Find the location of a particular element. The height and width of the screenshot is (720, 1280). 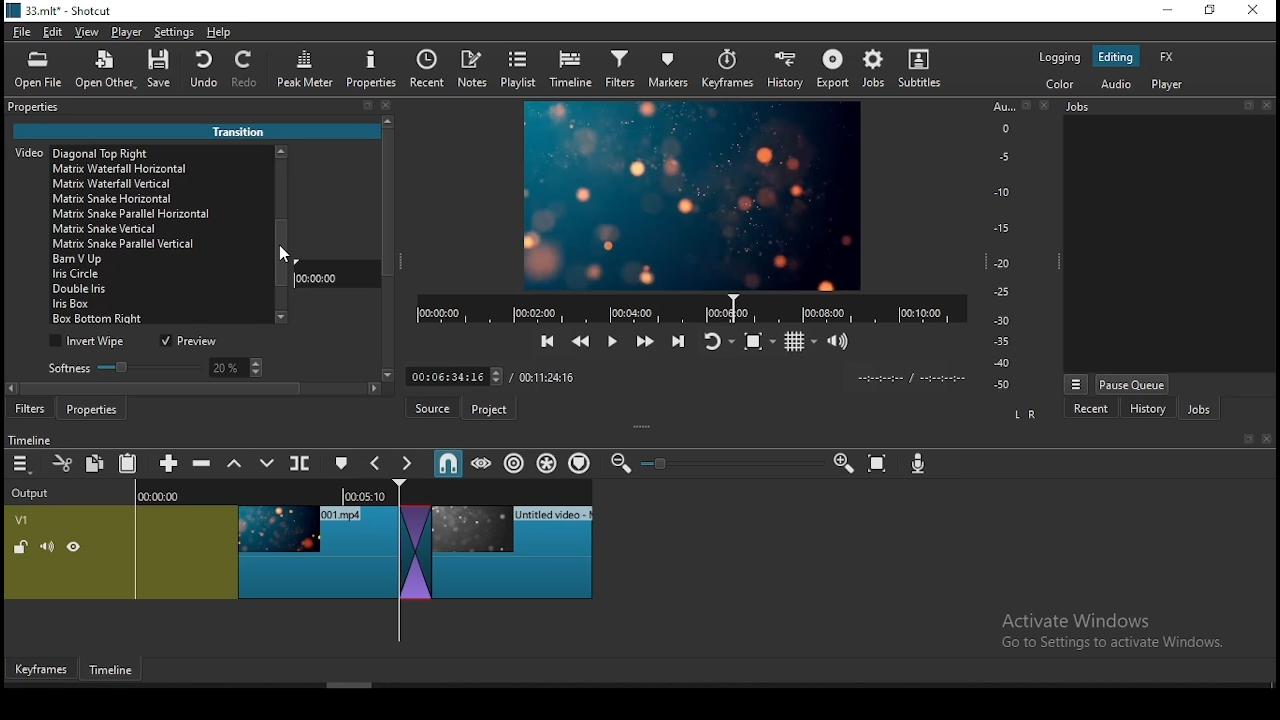

keyframes is located at coordinates (727, 70).